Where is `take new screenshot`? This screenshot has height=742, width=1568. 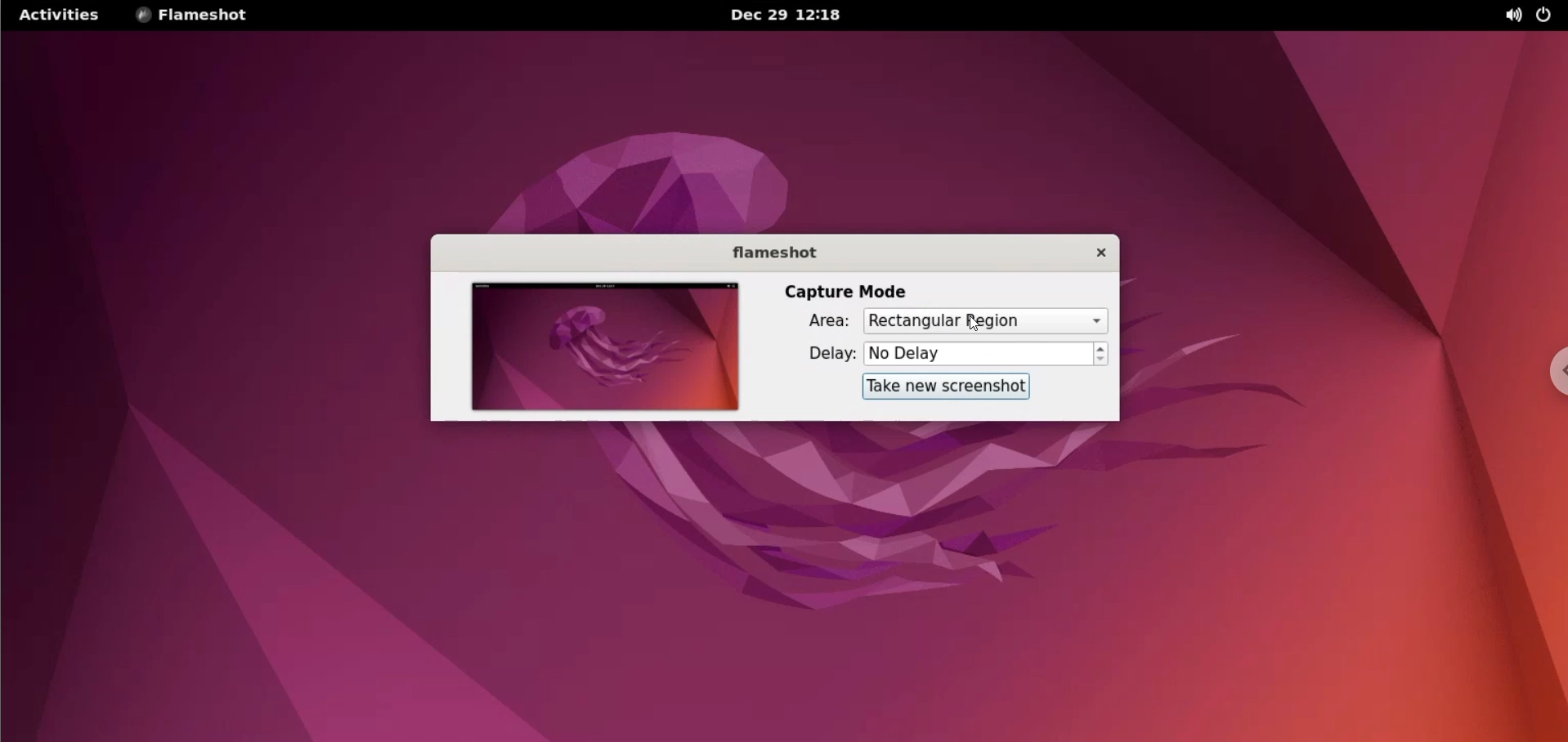 take new screenshot is located at coordinates (948, 387).